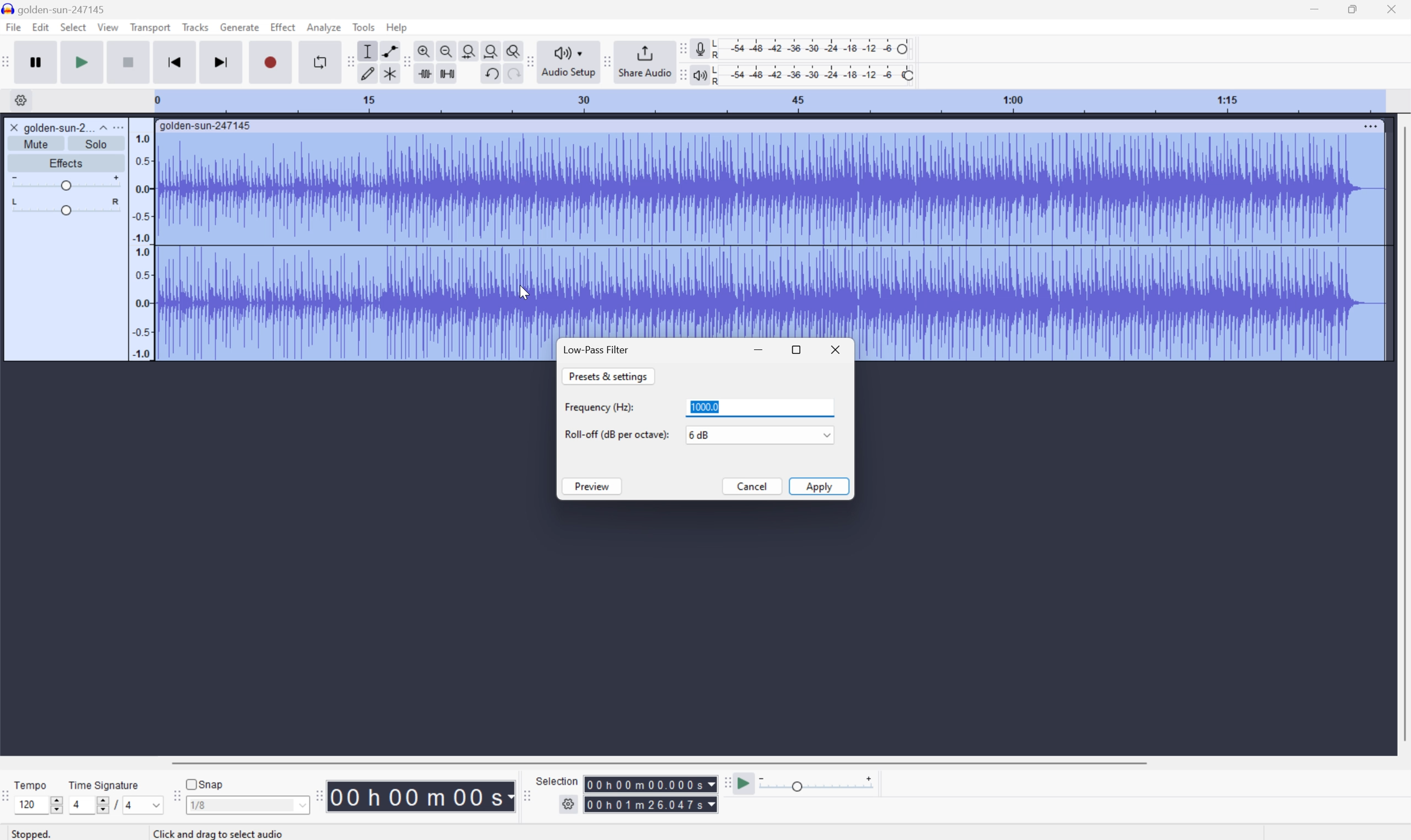 This screenshot has width=1411, height=840. What do you see at coordinates (570, 807) in the screenshot?
I see `Settings` at bounding box center [570, 807].